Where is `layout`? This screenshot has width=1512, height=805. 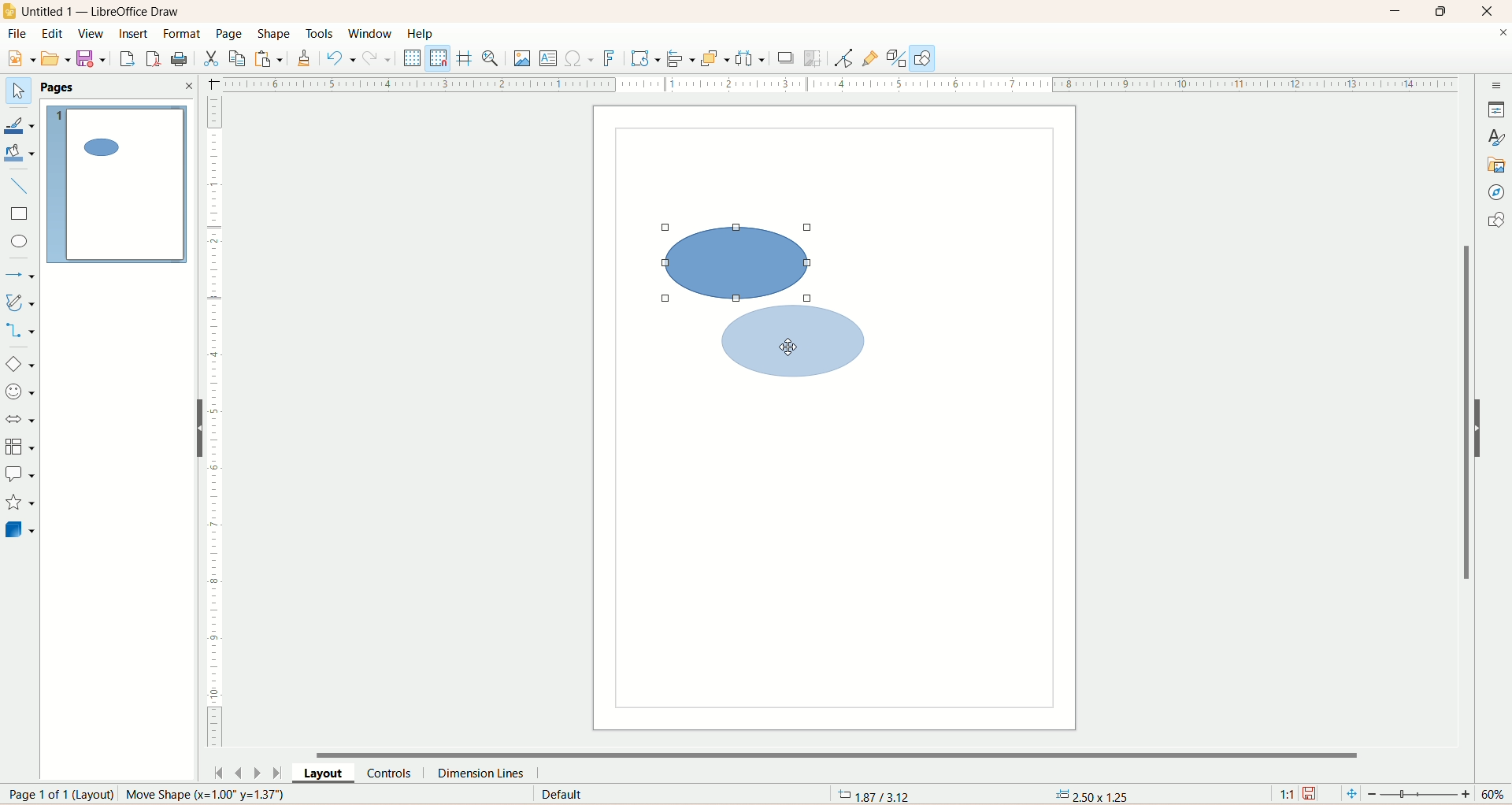
layout is located at coordinates (327, 772).